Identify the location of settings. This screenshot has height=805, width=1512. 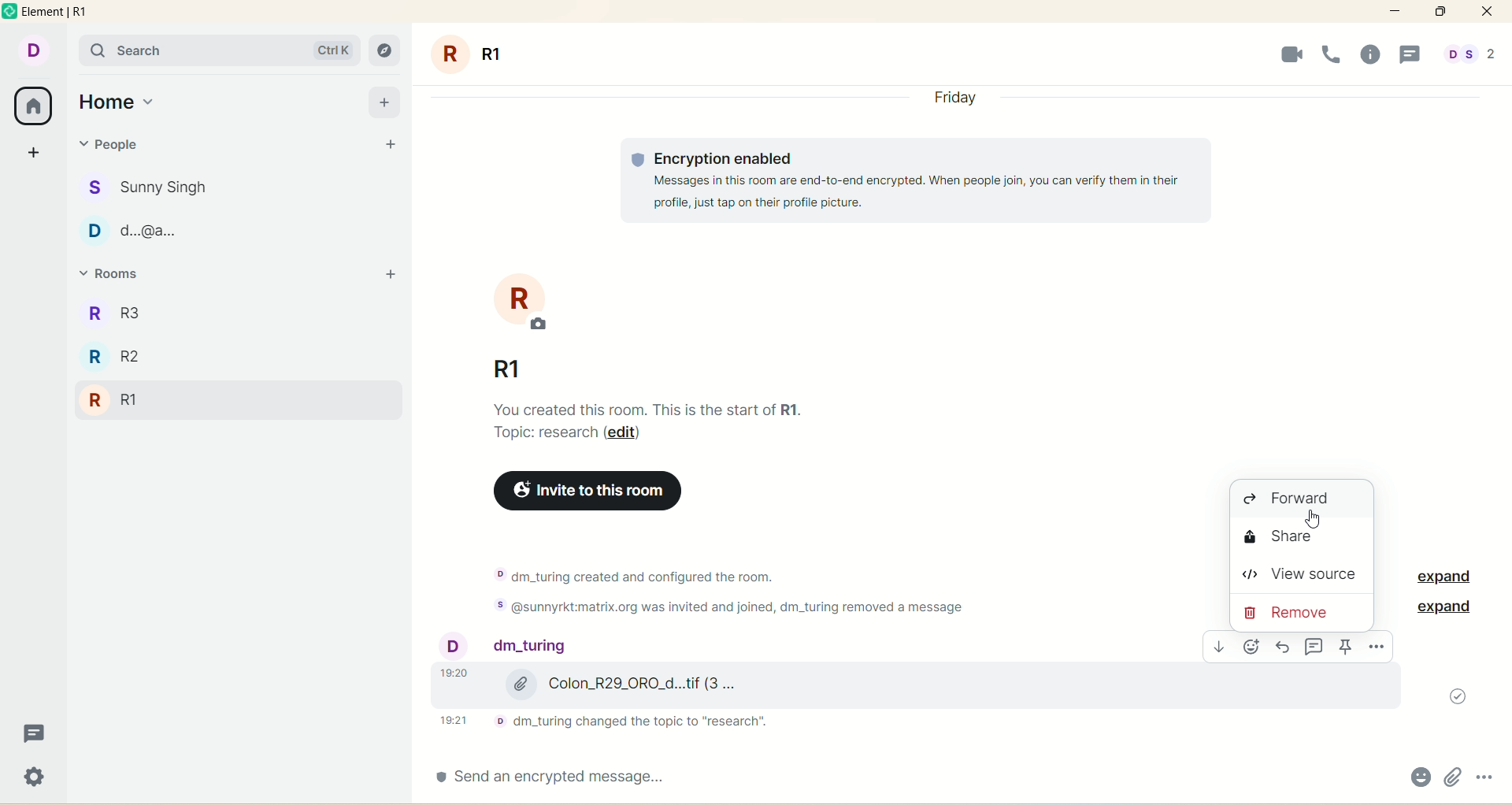
(36, 779).